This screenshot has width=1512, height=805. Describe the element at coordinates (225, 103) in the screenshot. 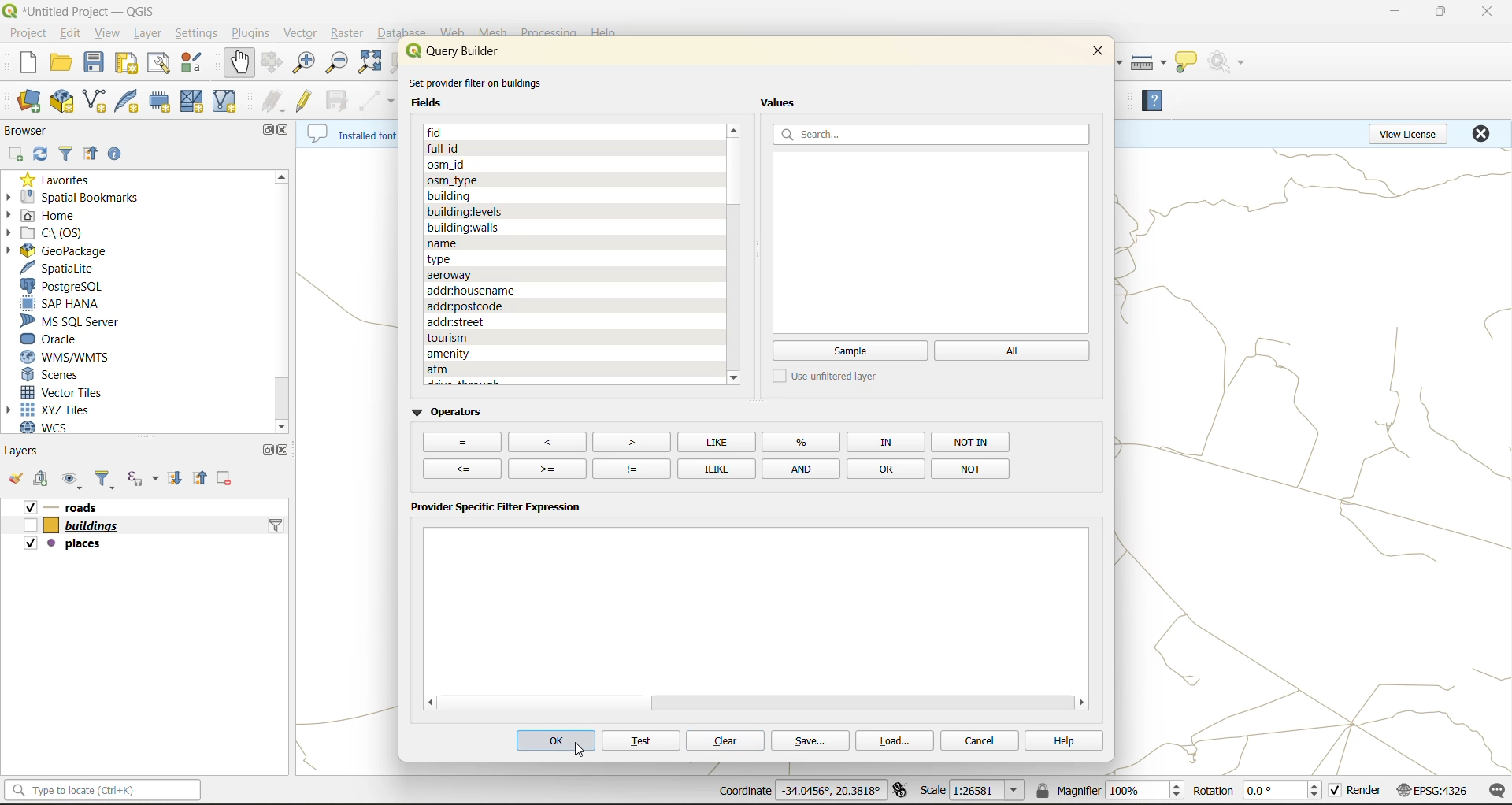

I see `new virtual layer` at that location.